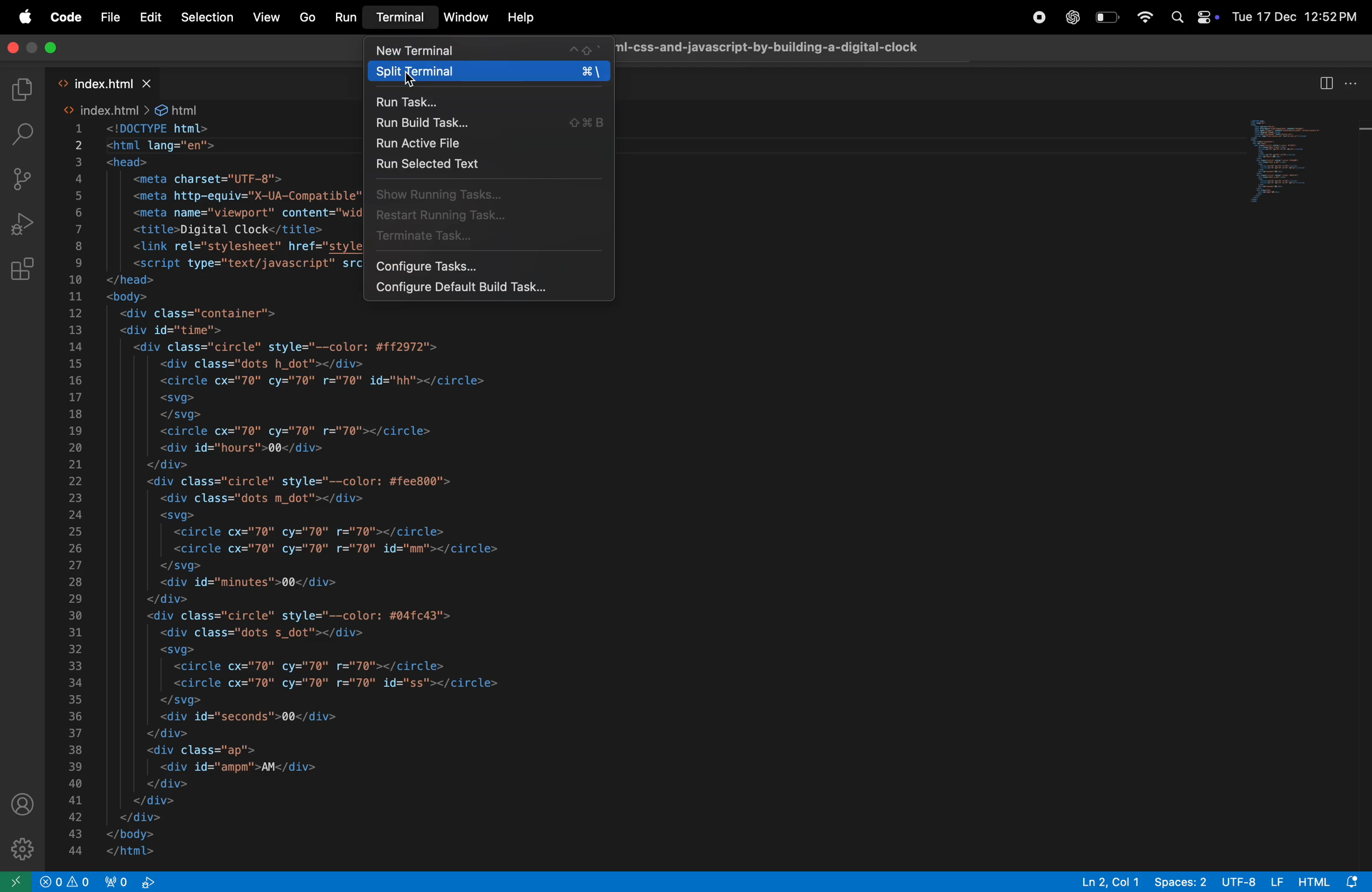 Image resolution: width=1372 pixels, height=892 pixels. What do you see at coordinates (487, 50) in the screenshot?
I see `new terminal` at bounding box center [487, 50].